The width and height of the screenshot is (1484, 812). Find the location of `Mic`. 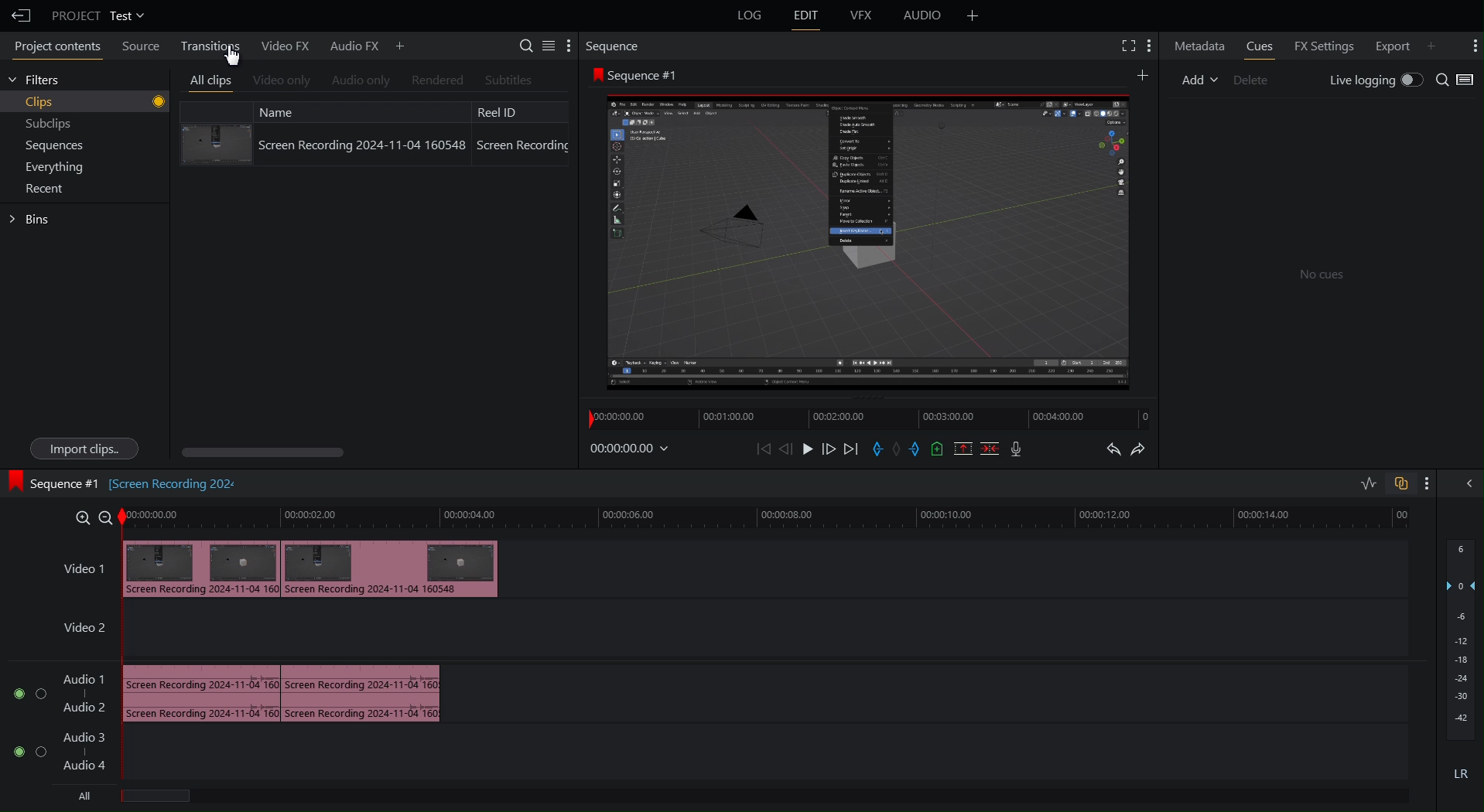

Mic is located at coordinates (1017, 450).